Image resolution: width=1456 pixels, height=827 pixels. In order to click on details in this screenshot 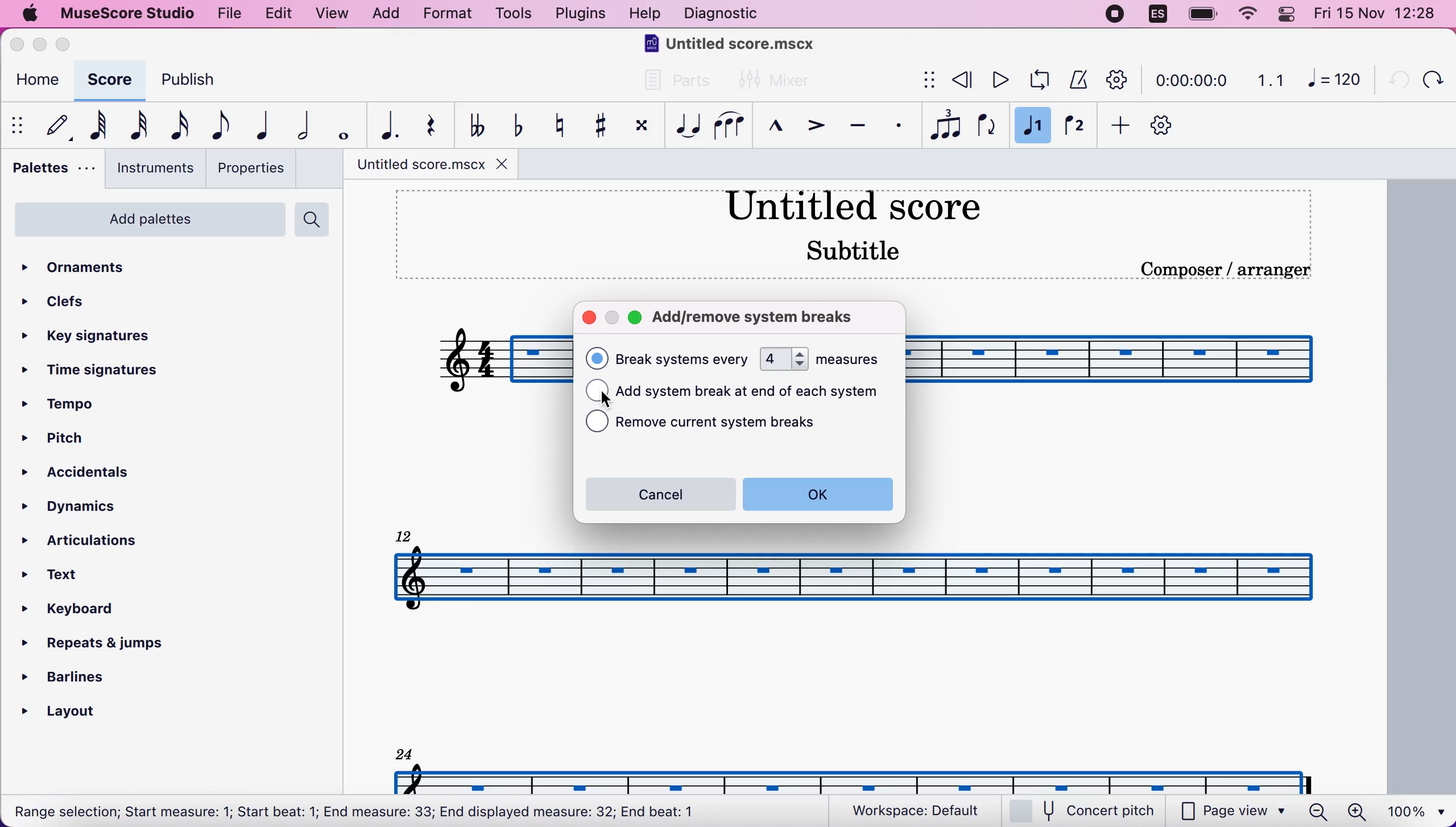, I will do `click(1225, 270)`.